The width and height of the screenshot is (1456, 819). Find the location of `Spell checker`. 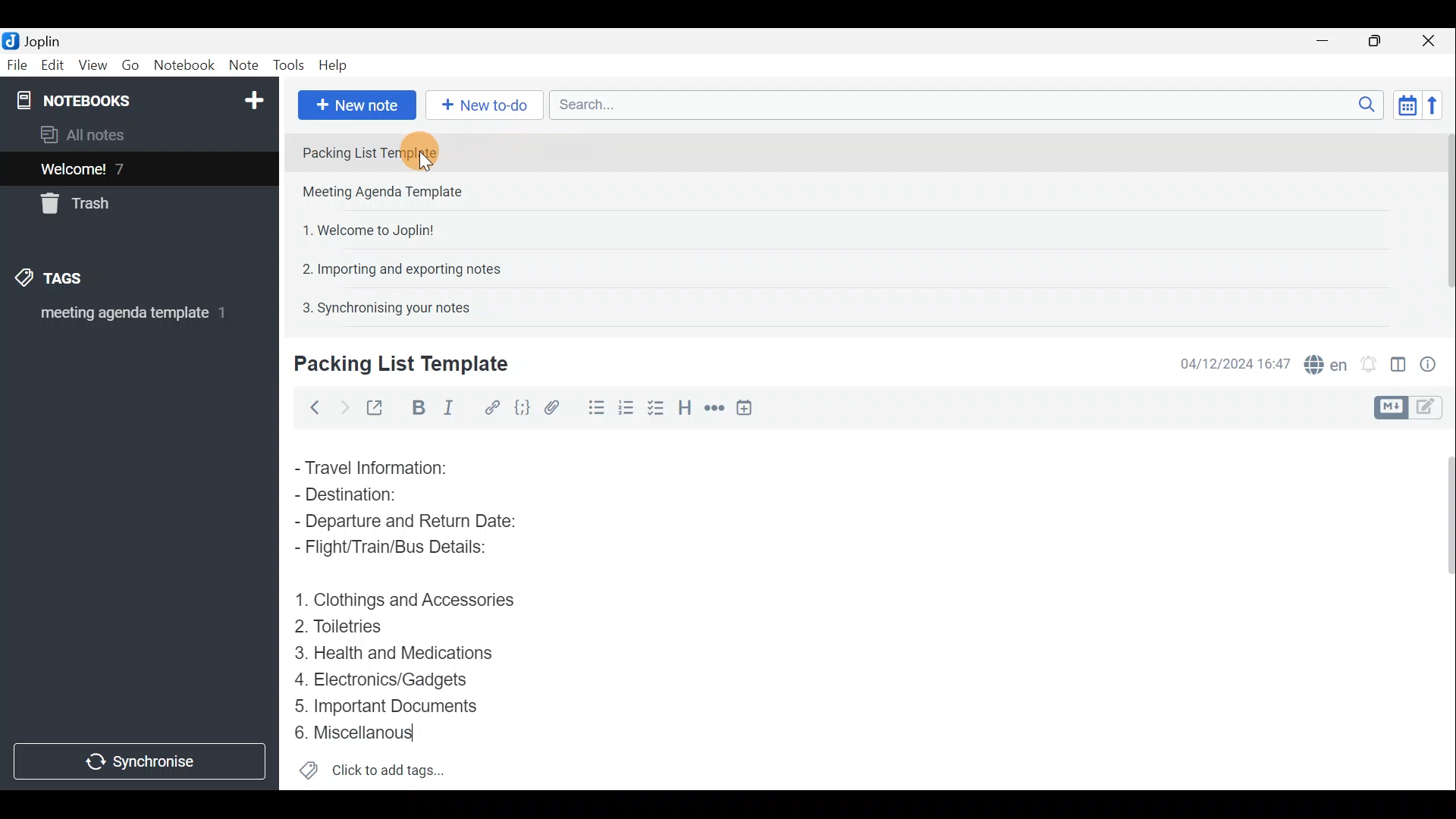

Spell checker is located at coordinates (1322, 362).